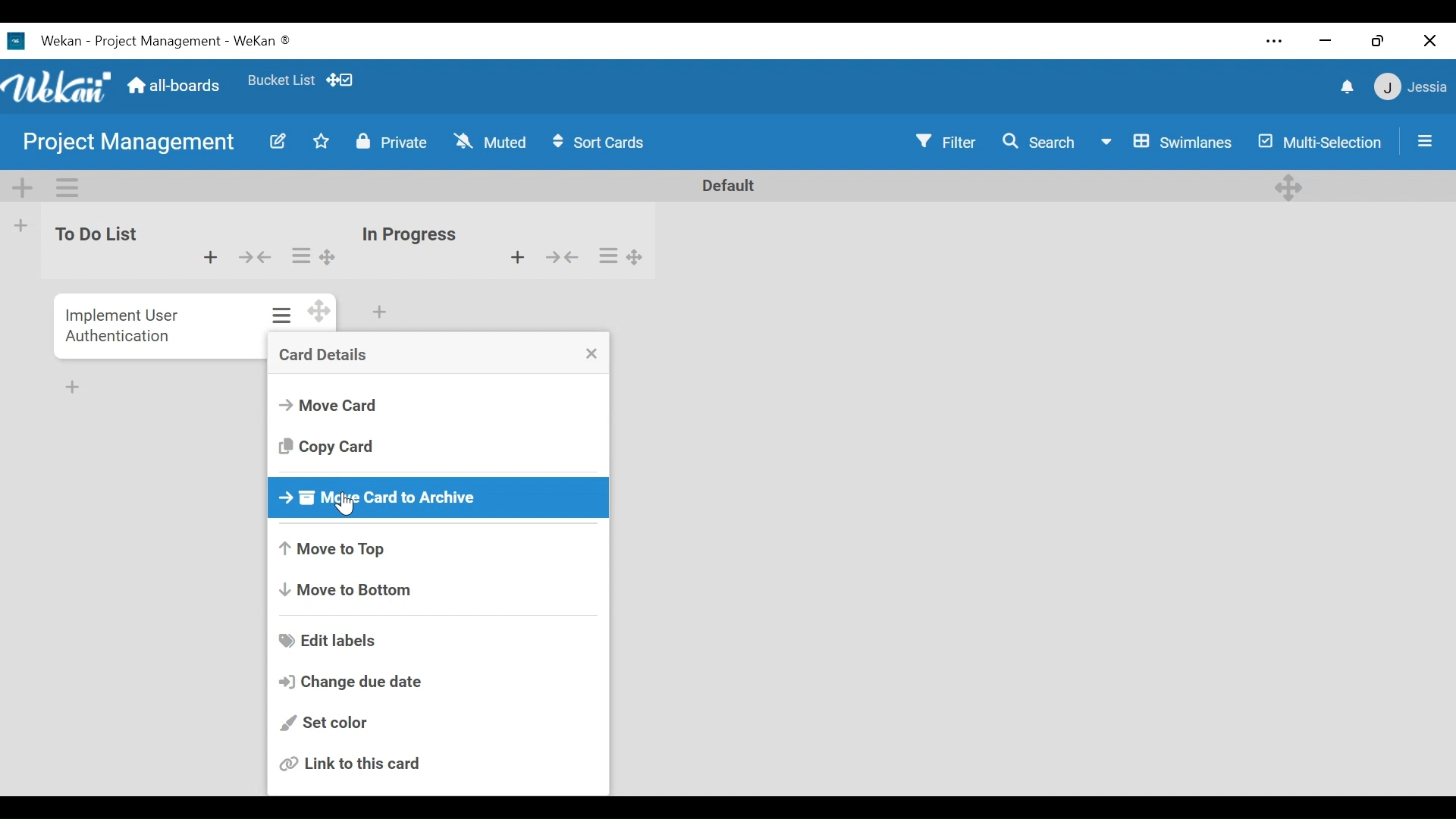  What do you see at coordinates (1432, 40) in the screenshot?
I see `Close` at bounding box center [1432, 40].